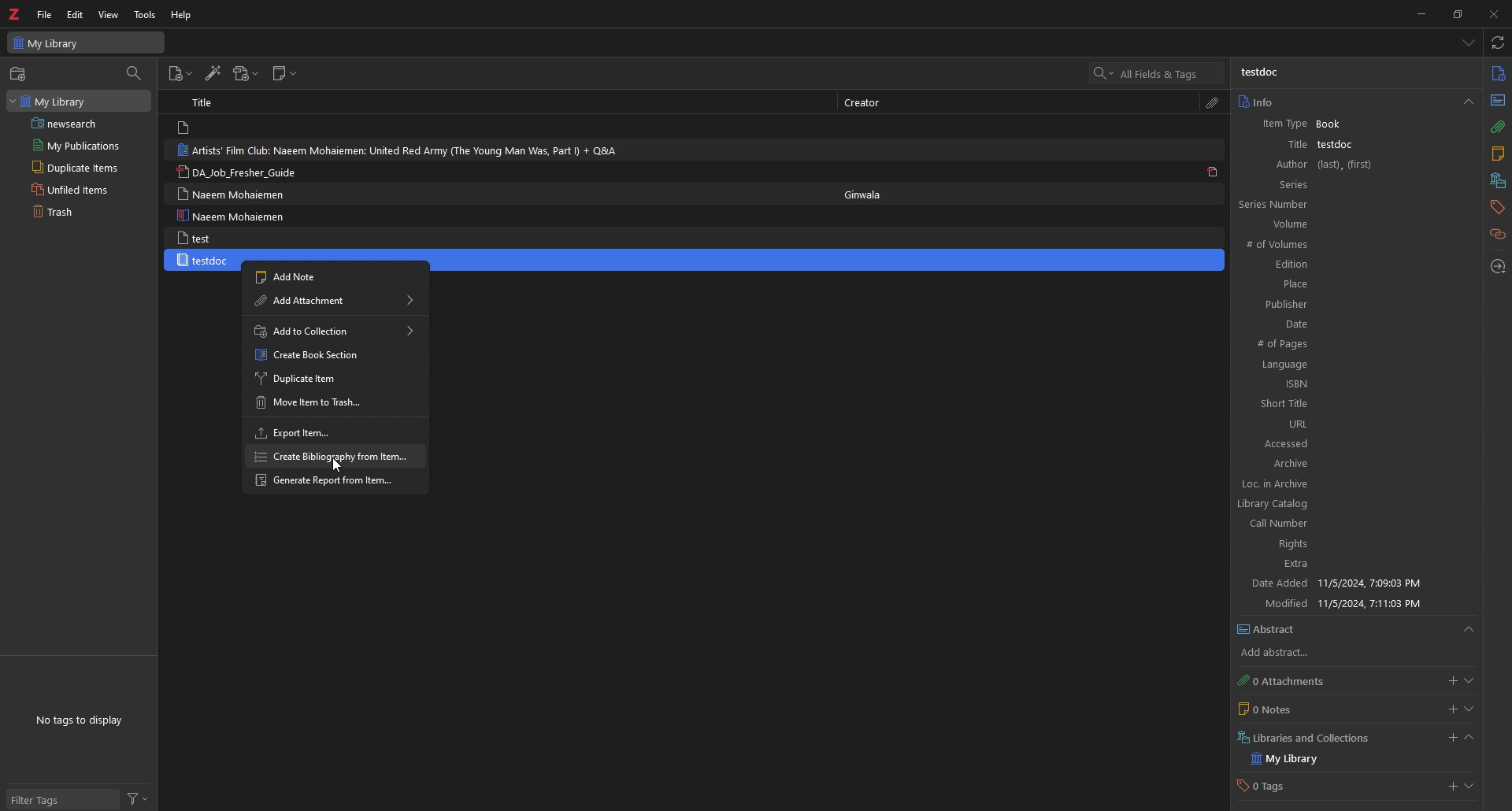 The height and width of the screenshot is (811, 1512). Describe the element at coordinates (146, 15) in the screenshot. I see `tools` at that location.